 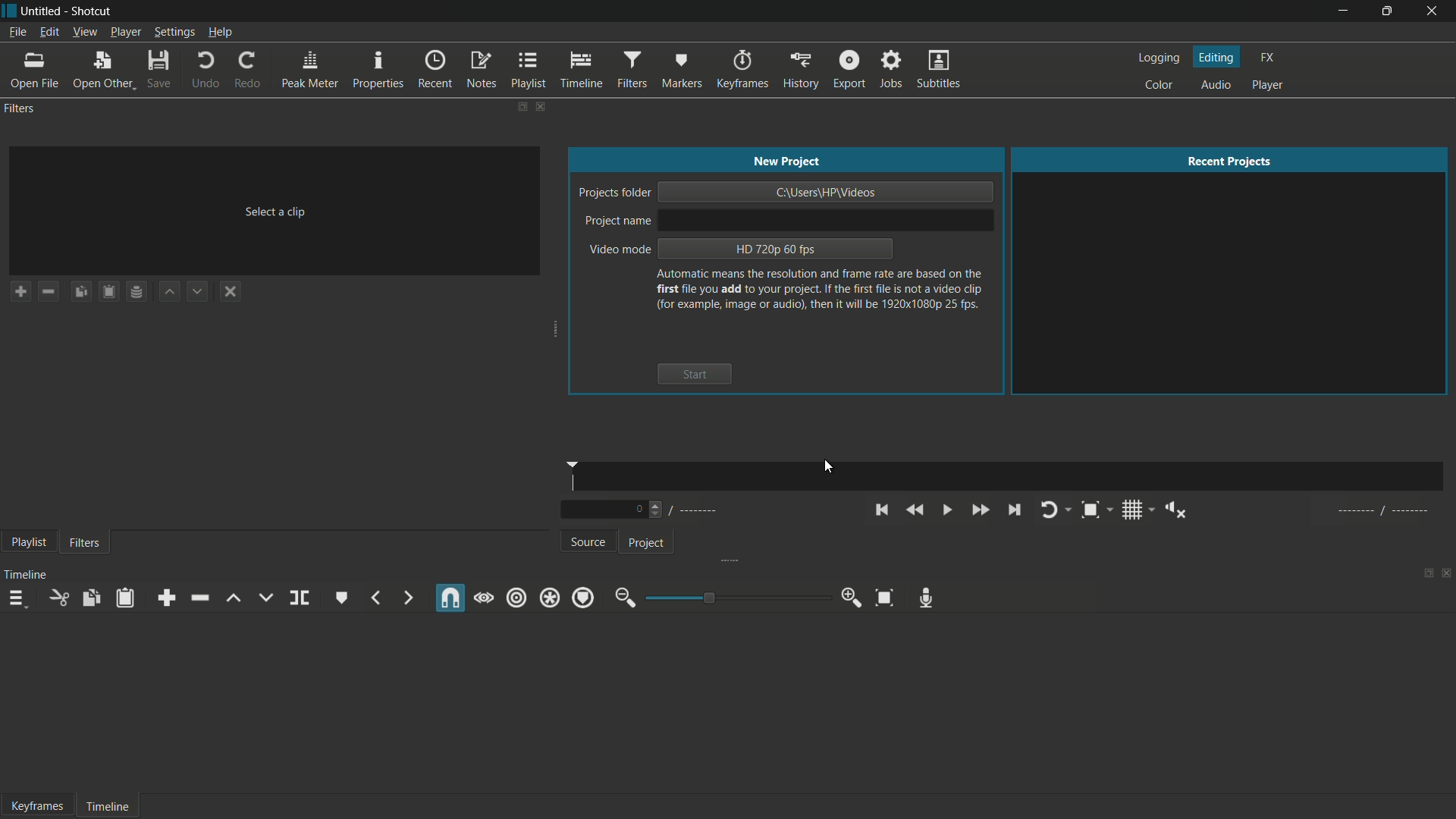 I want to click on project folder, so click(x=613, y=193).